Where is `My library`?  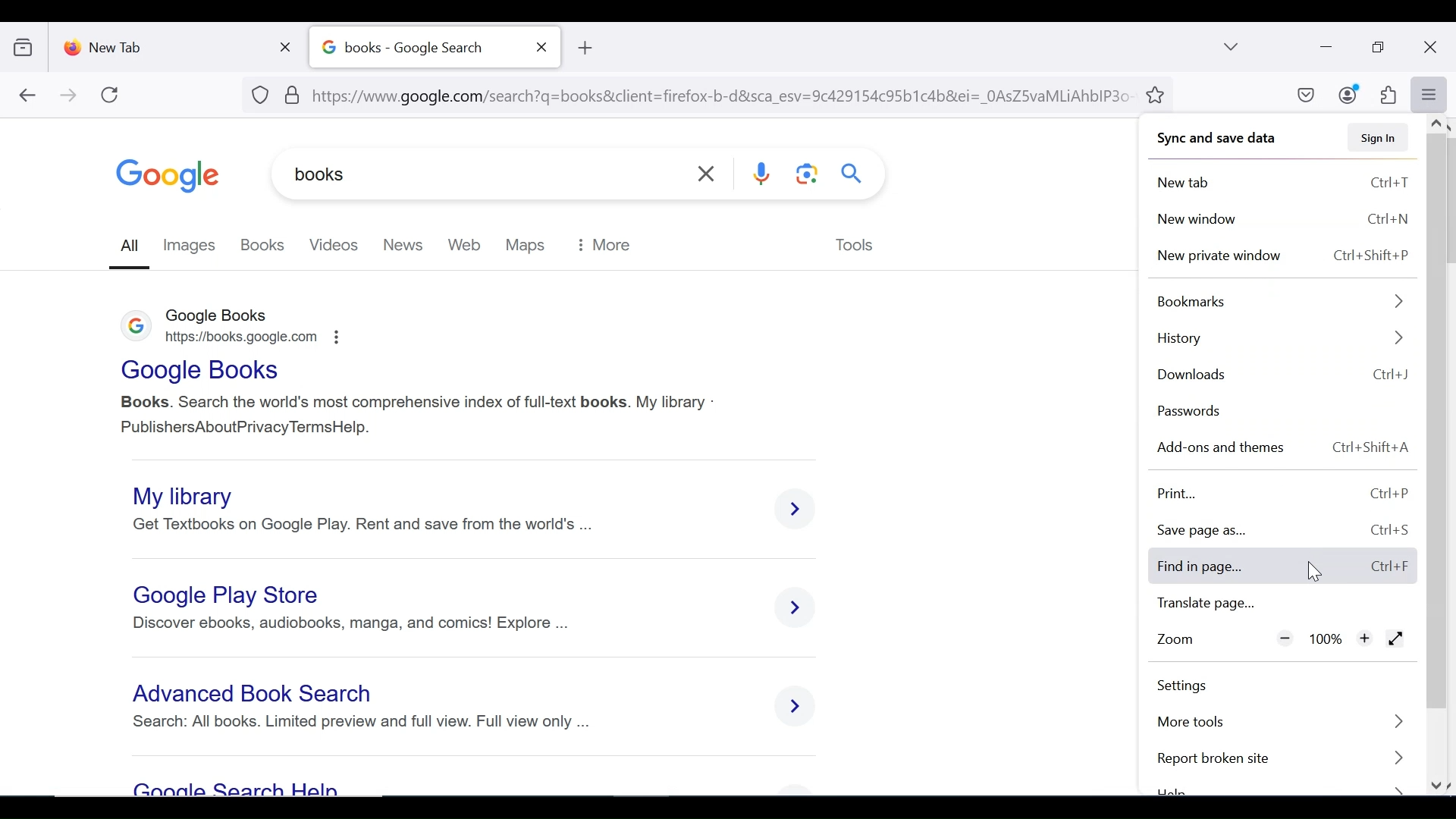 My library is located at coordinates (180, 496).